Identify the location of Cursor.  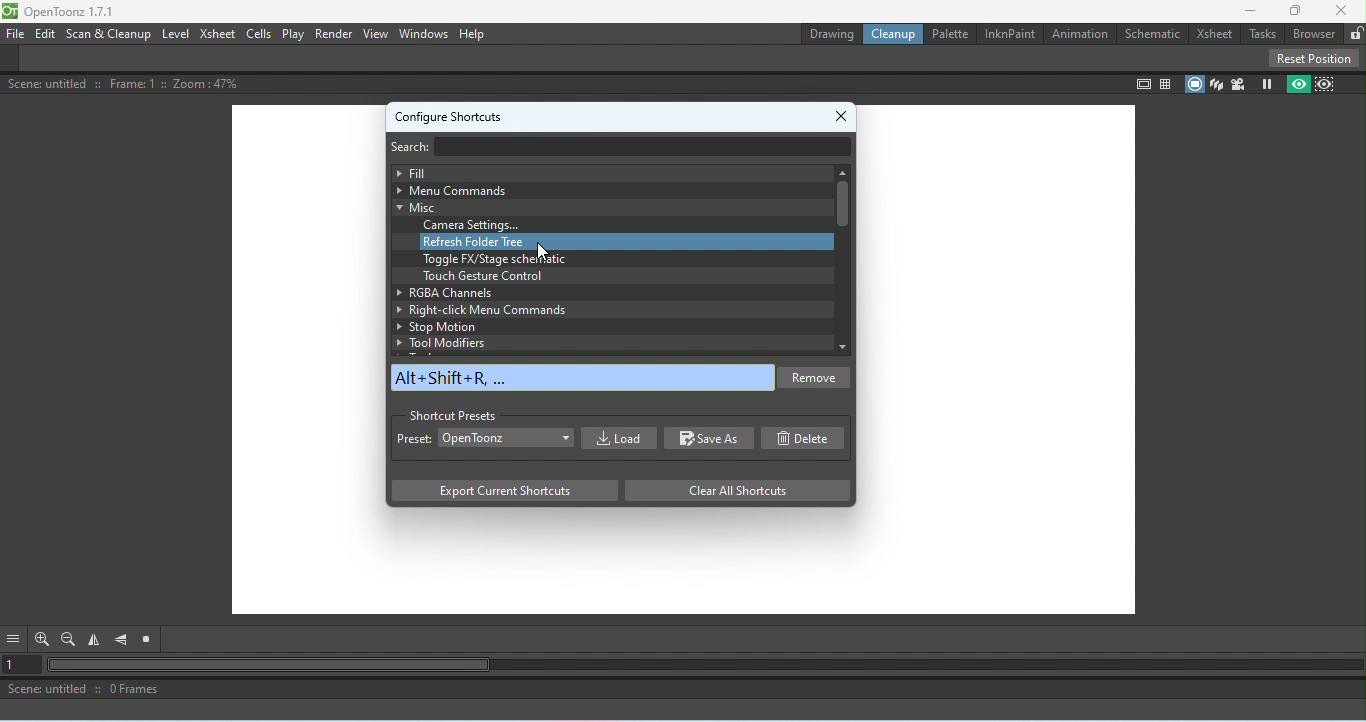
(543, 250).